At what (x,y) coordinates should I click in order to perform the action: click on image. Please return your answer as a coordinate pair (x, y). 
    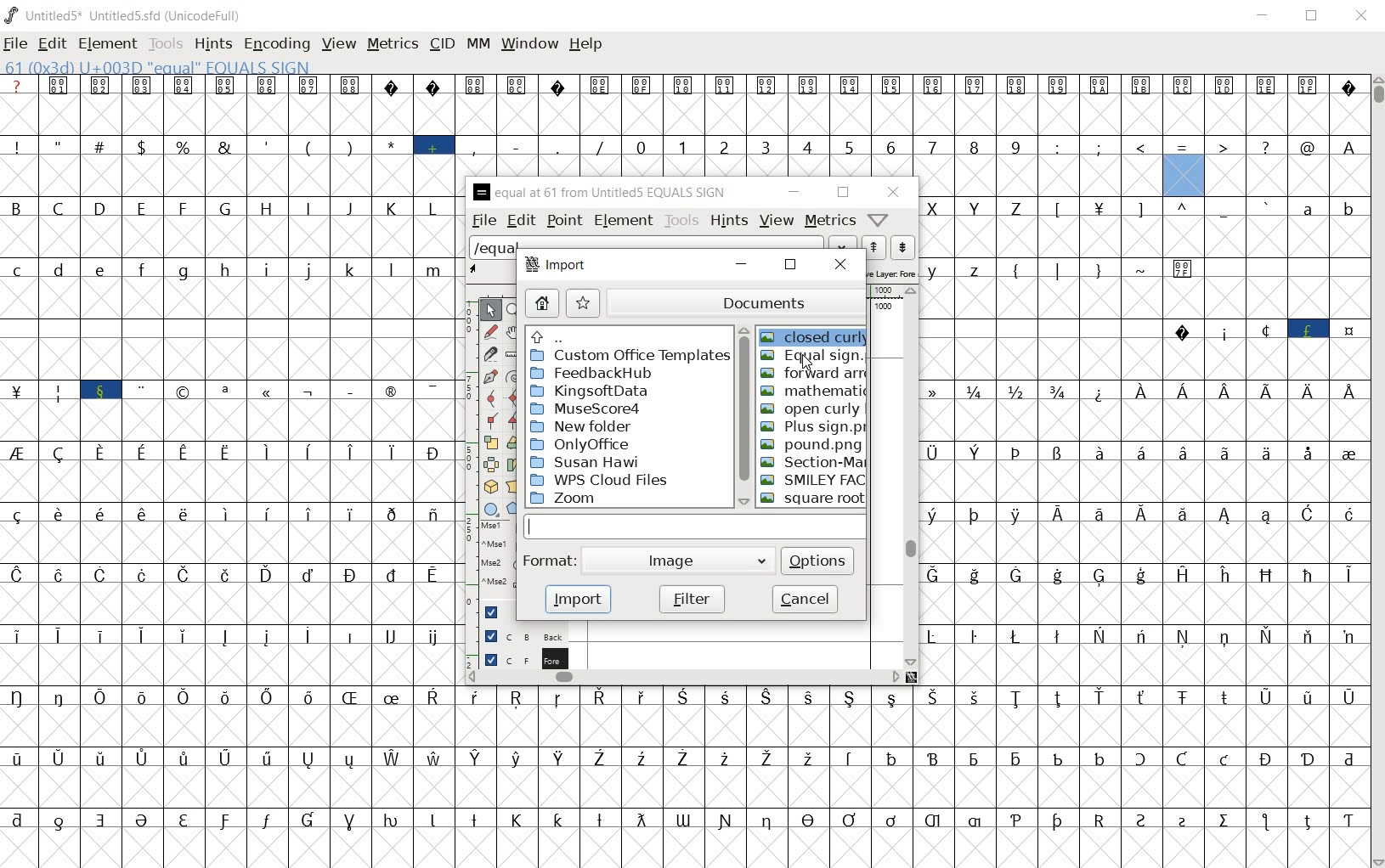
    Looking at the image, I should click on (676, 562).